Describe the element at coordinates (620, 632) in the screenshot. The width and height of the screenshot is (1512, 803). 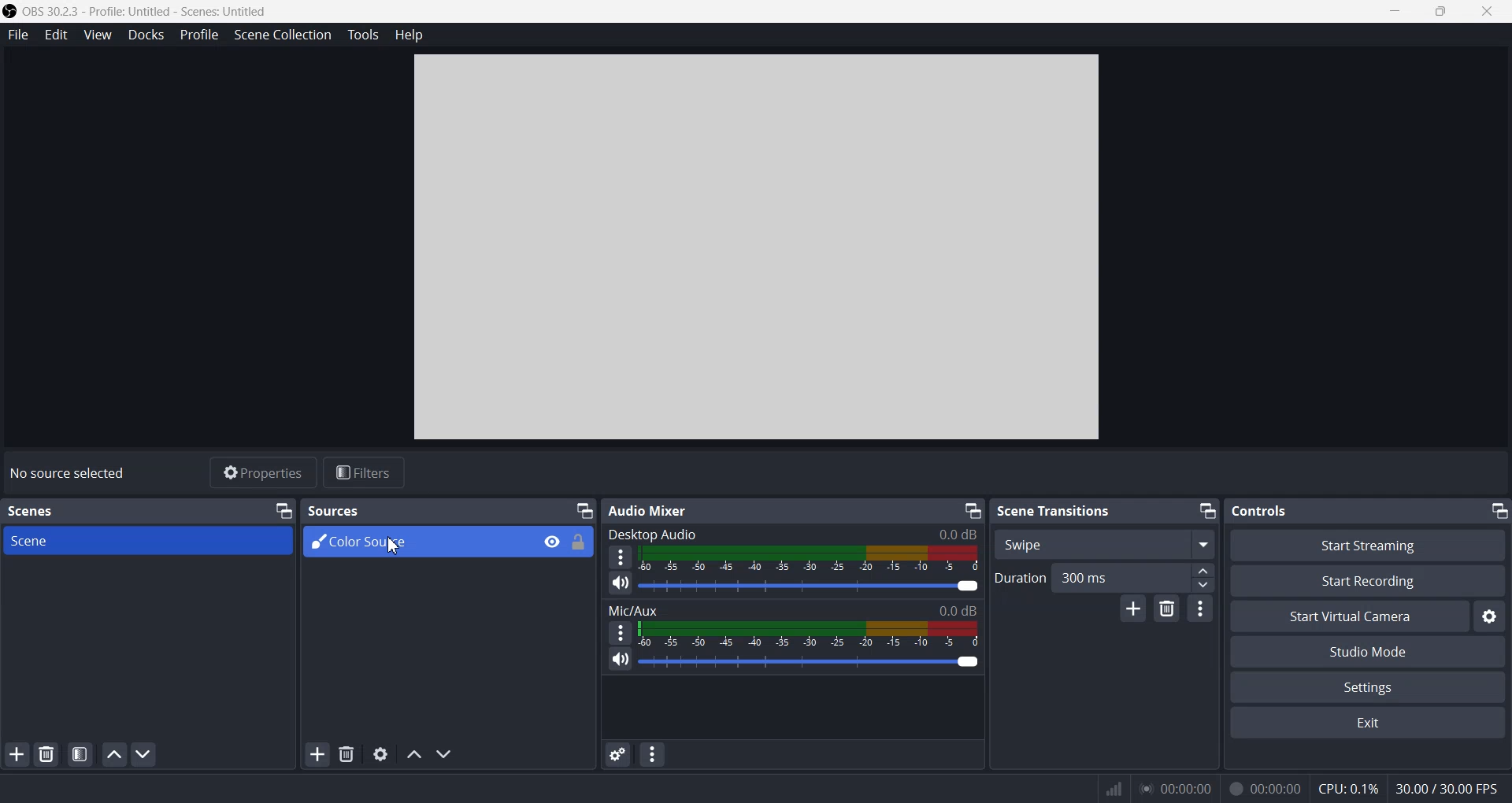
I see `More` at that location.